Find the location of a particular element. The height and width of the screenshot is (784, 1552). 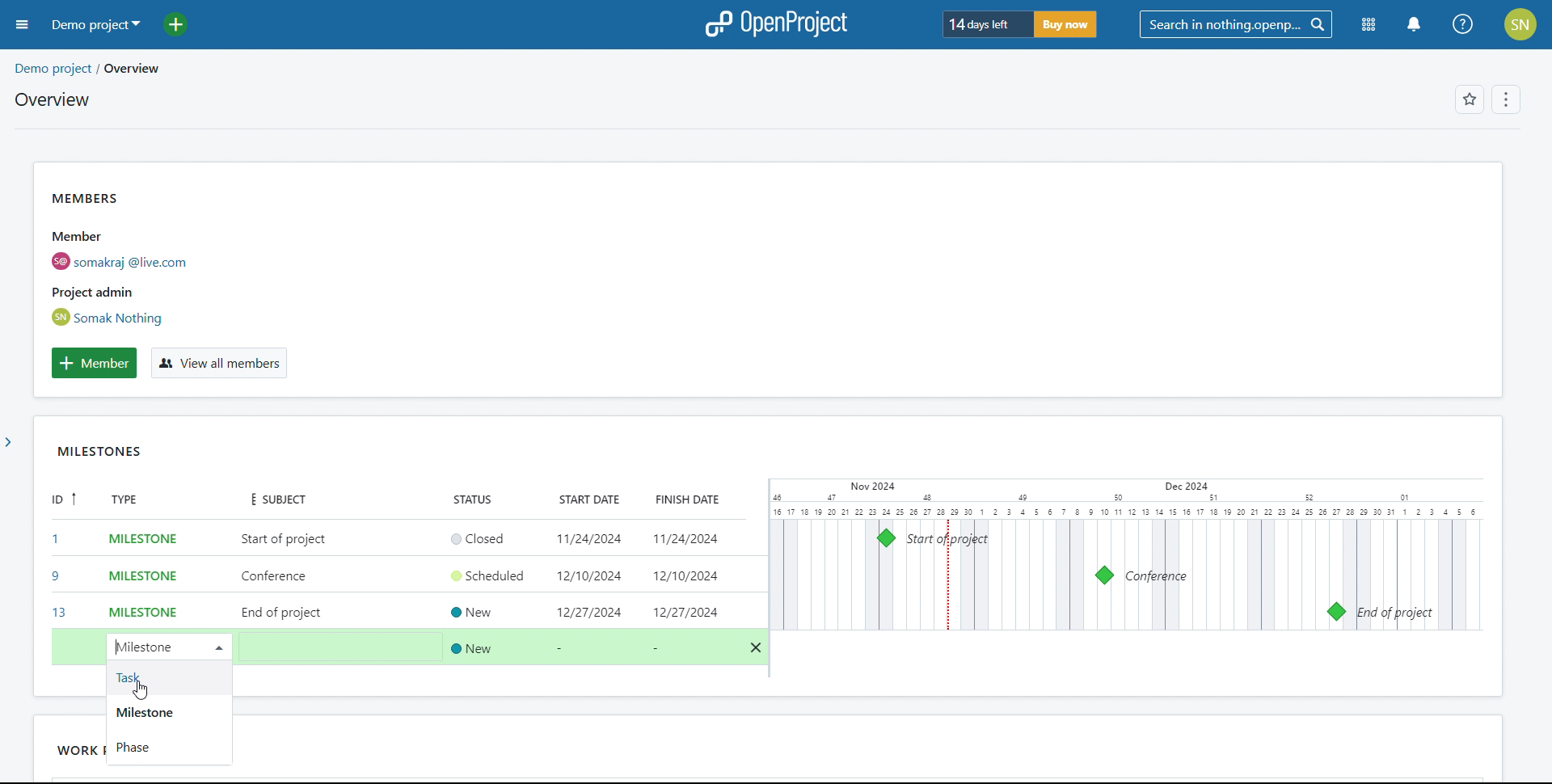

members is located at coordinates (149, 258).